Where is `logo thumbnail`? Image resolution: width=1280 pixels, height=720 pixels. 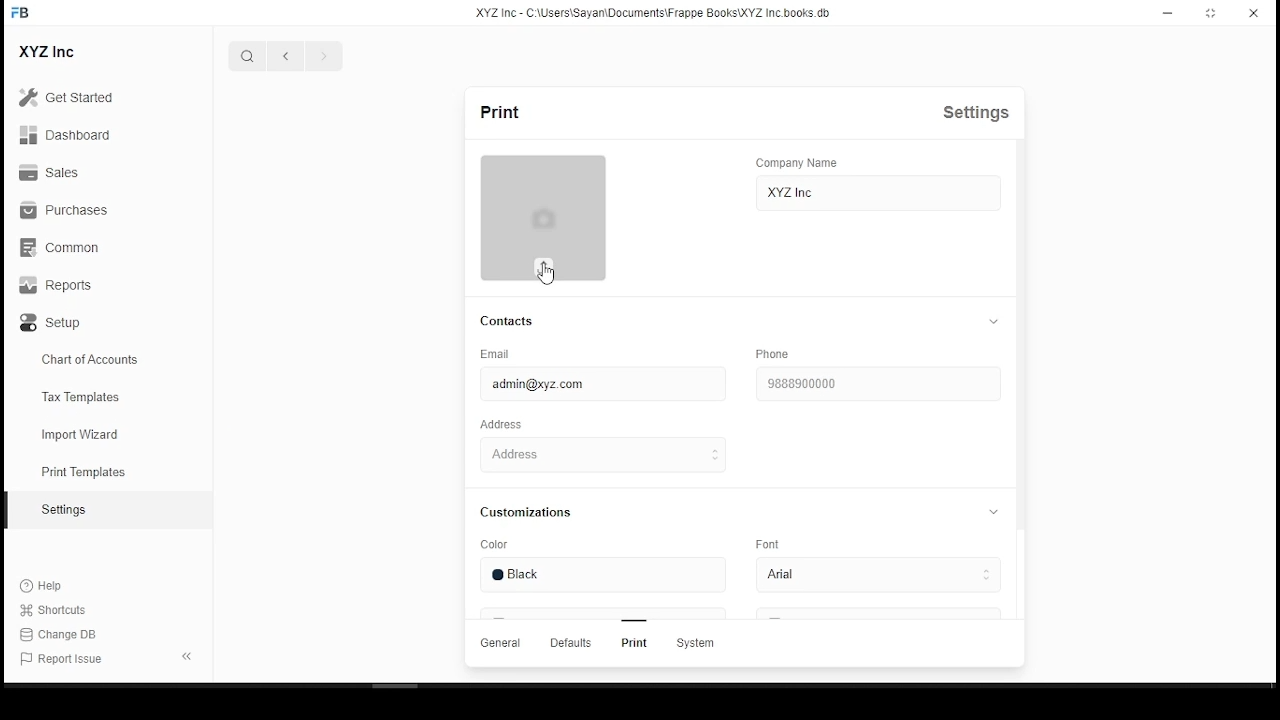 logo thumbnail is located at coordinates (540, 218).